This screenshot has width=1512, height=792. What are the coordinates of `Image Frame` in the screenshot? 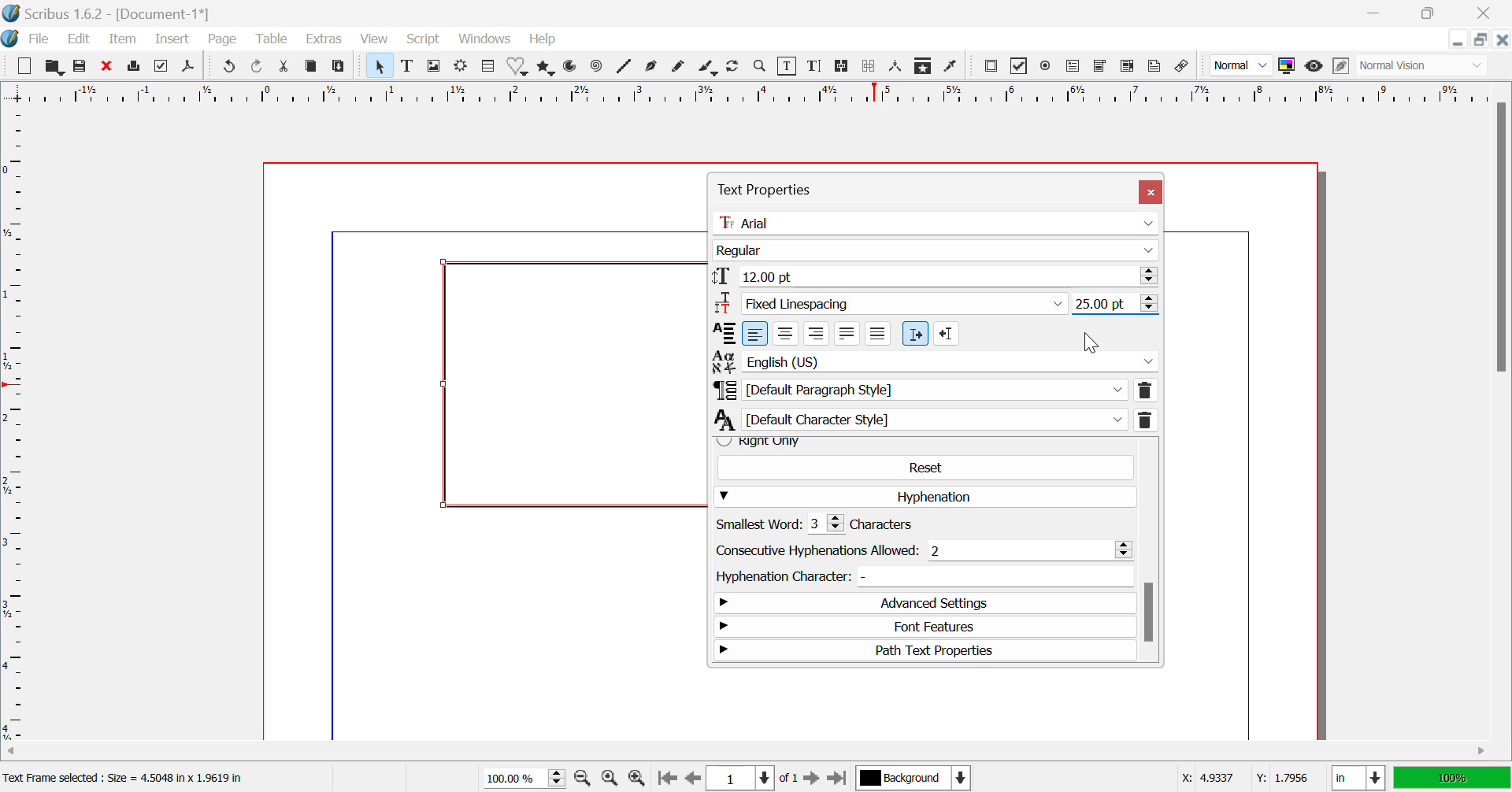 It's located at (435, 66).